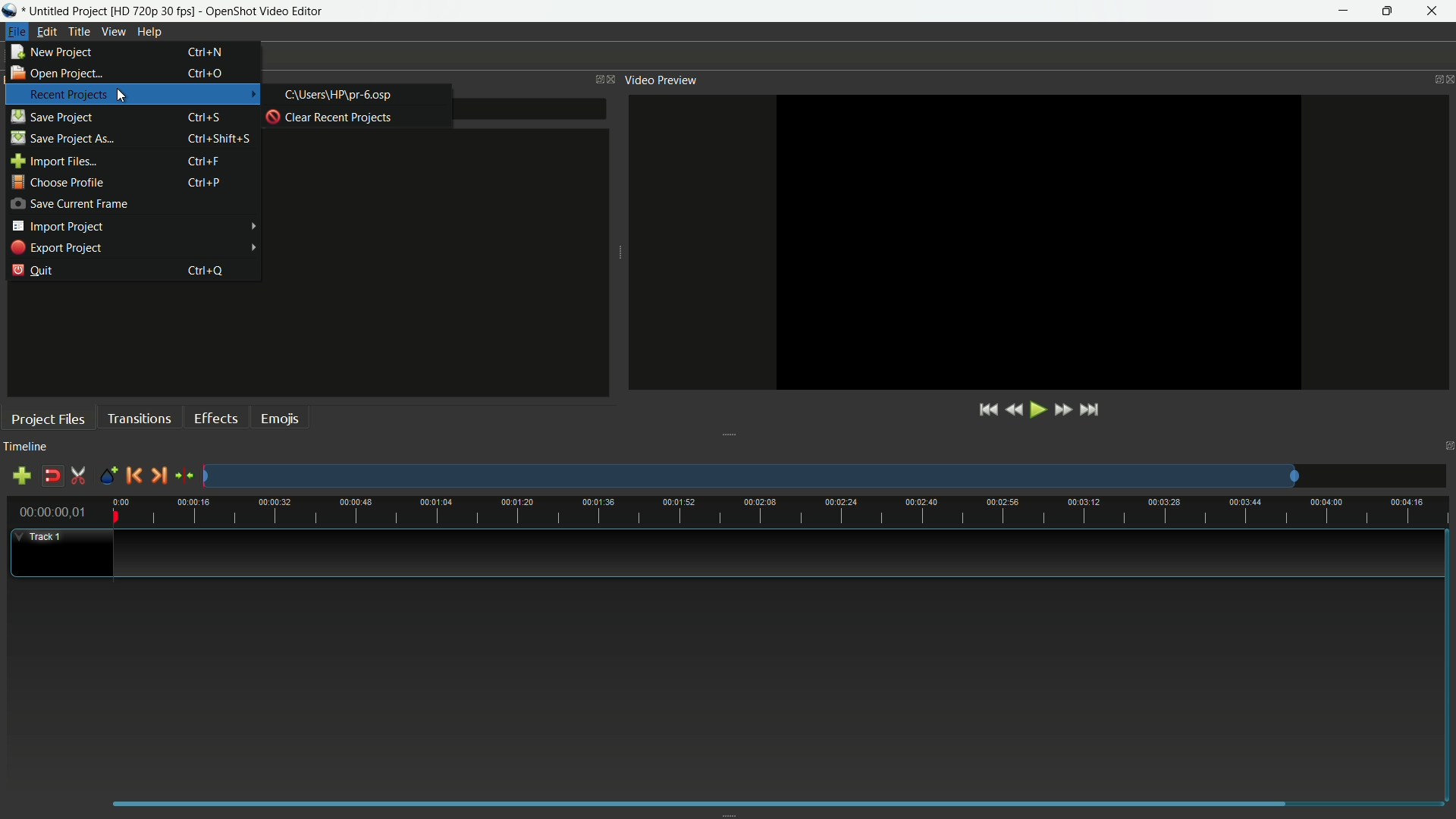 Image resolution: width=1456 pixels, height=819 pixels. Describe the element at coordinates (52, 116) in the screenshot. I see `save project` at that location.